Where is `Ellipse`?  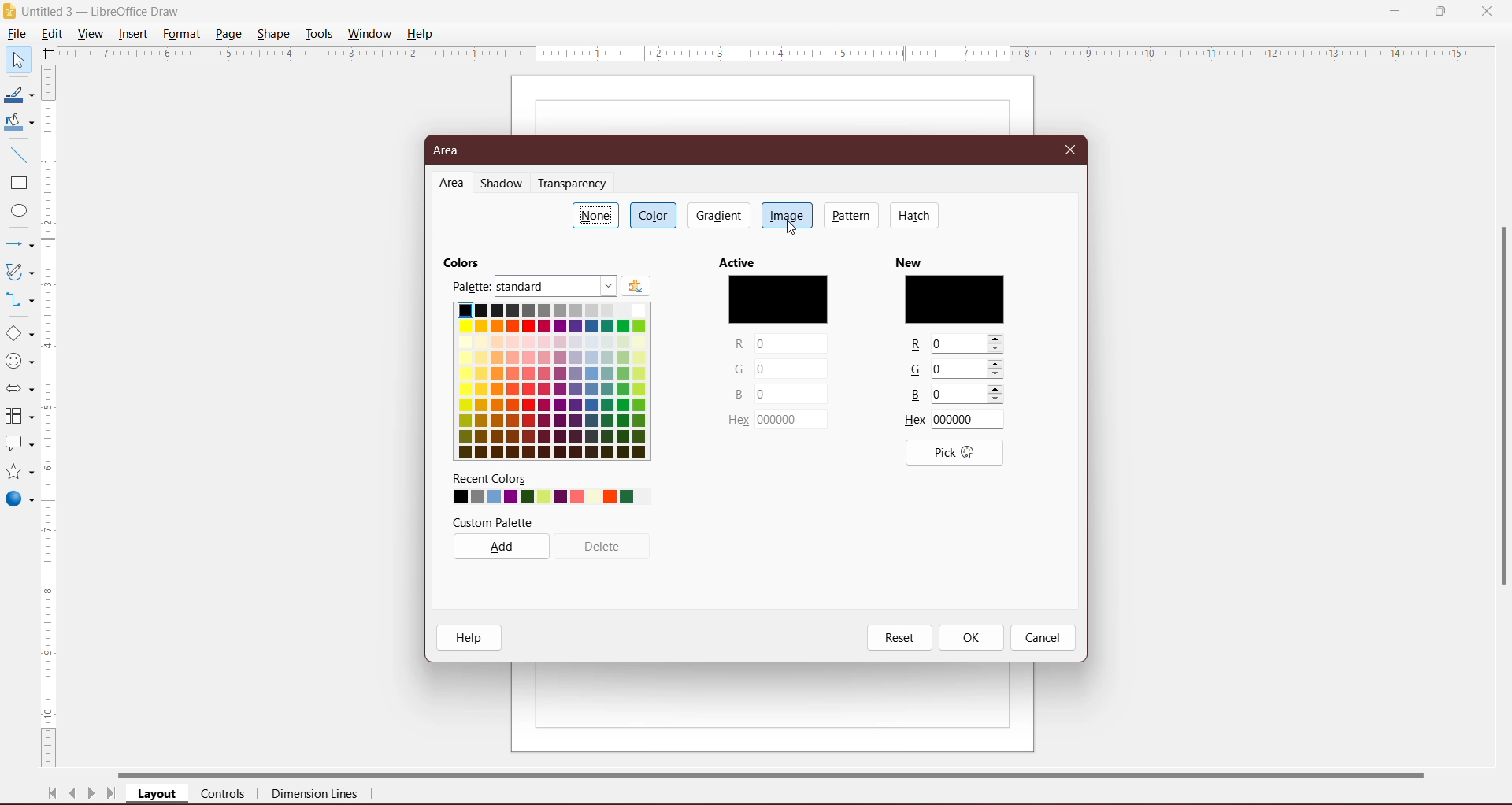
Ellipse is located at coordinates (15, 213).